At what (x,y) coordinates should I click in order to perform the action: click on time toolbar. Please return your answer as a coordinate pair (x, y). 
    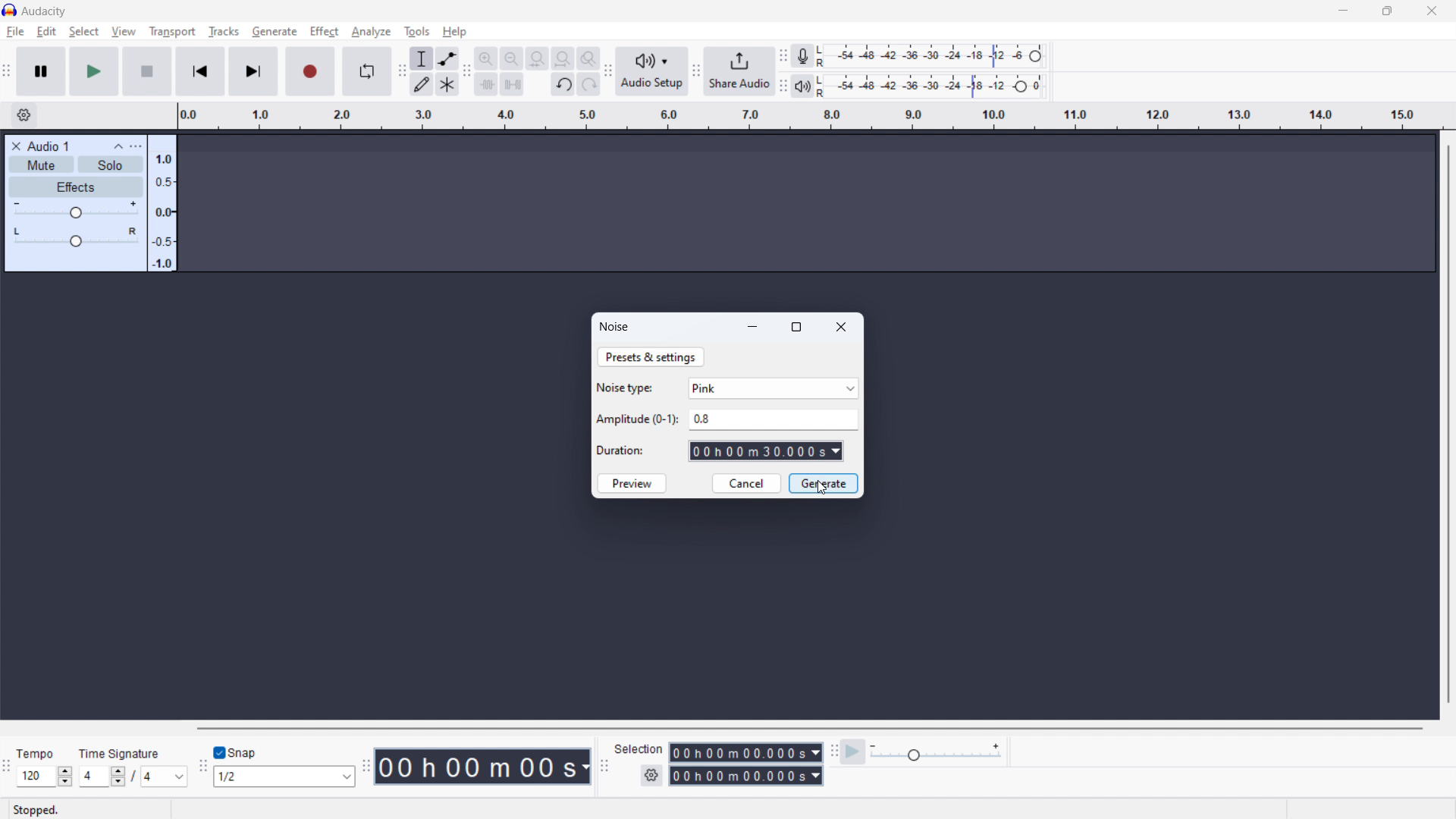
    Looking at the image, I should click on (368, 765).